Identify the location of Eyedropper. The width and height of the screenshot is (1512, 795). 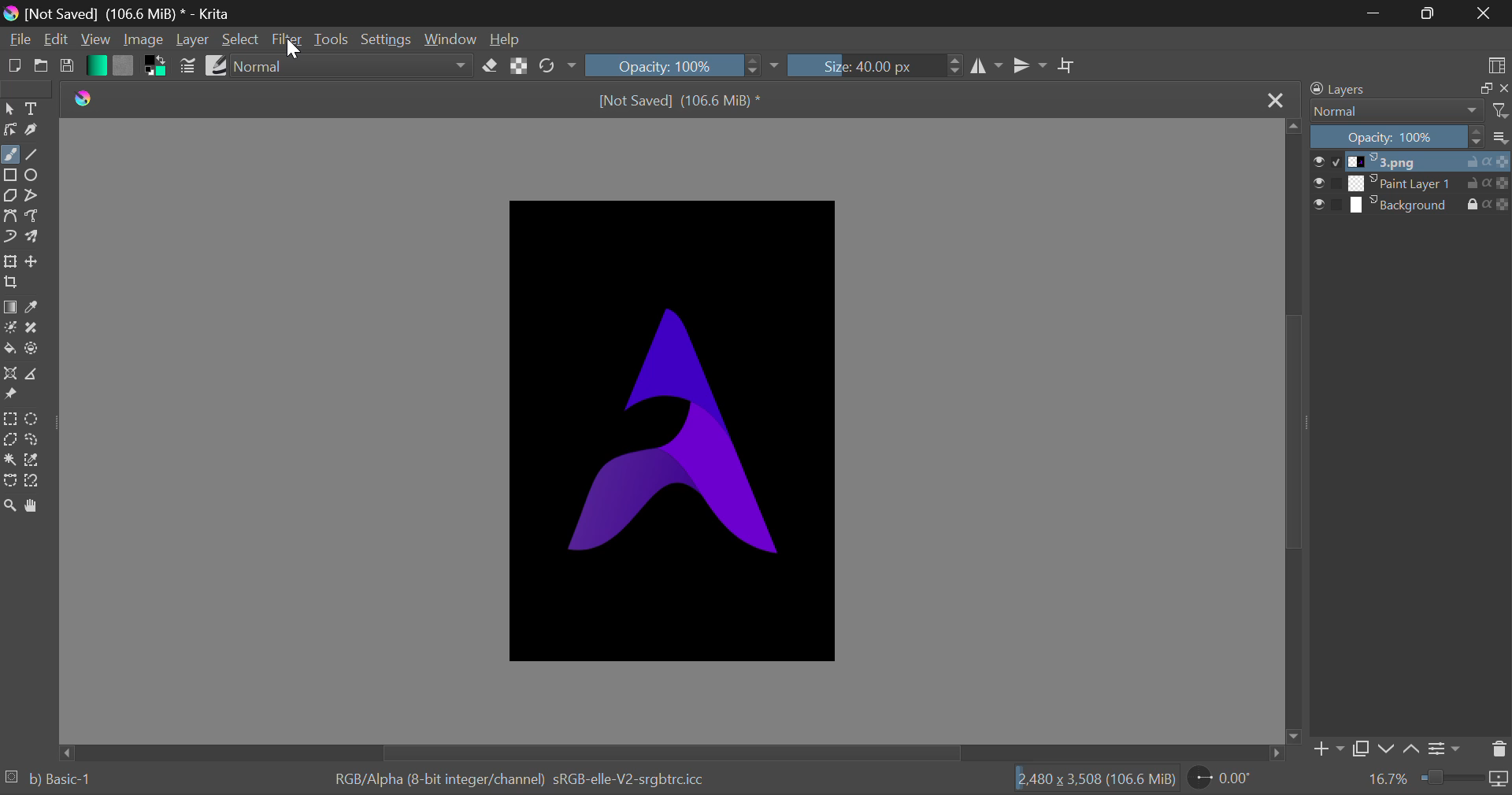
(36, 308).